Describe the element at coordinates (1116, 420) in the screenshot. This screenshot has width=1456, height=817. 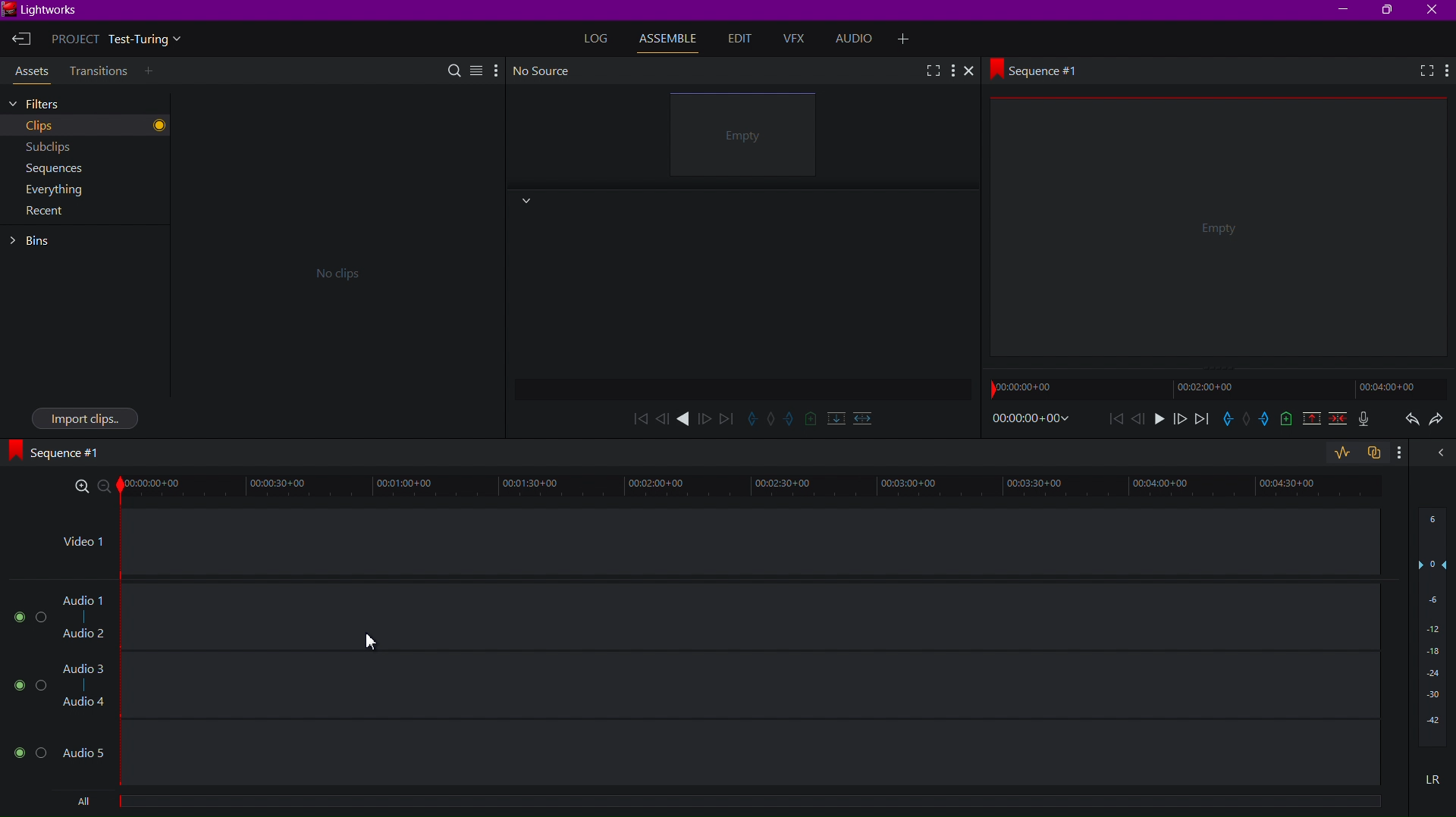
I see `beginning` at that location.